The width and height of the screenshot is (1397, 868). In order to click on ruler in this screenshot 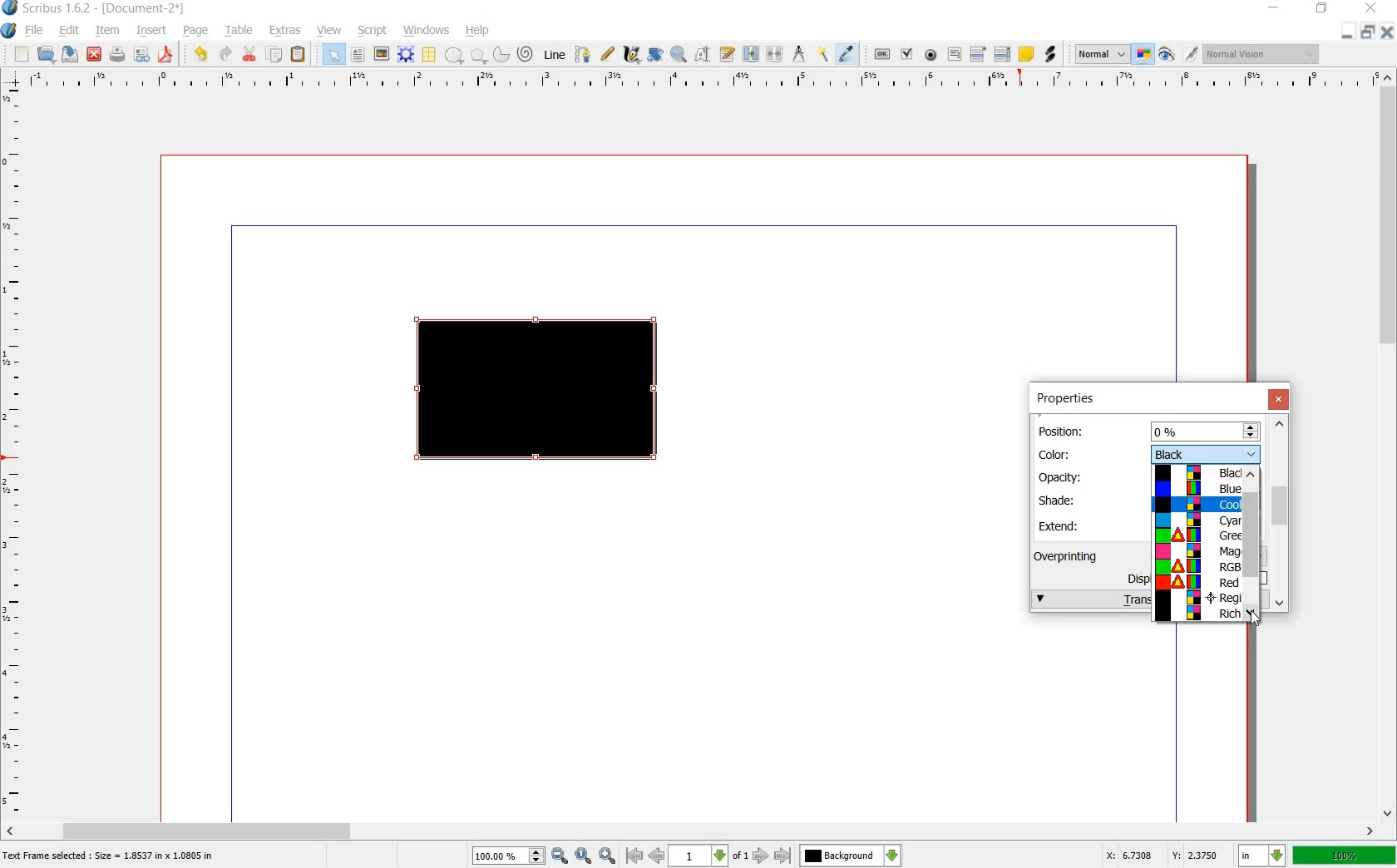, I will do `click(14, 452)`.